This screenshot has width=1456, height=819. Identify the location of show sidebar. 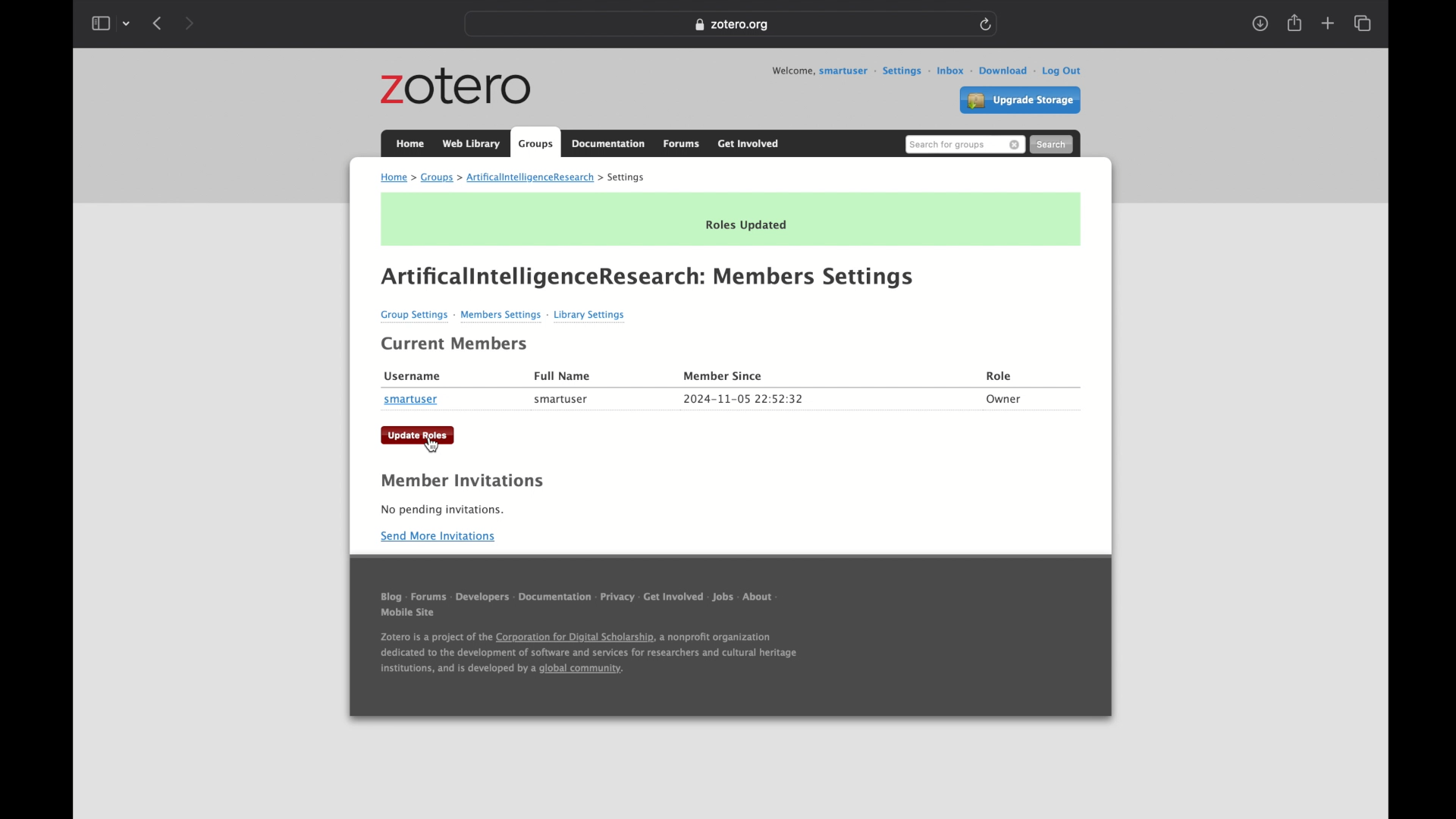
(100, 24).